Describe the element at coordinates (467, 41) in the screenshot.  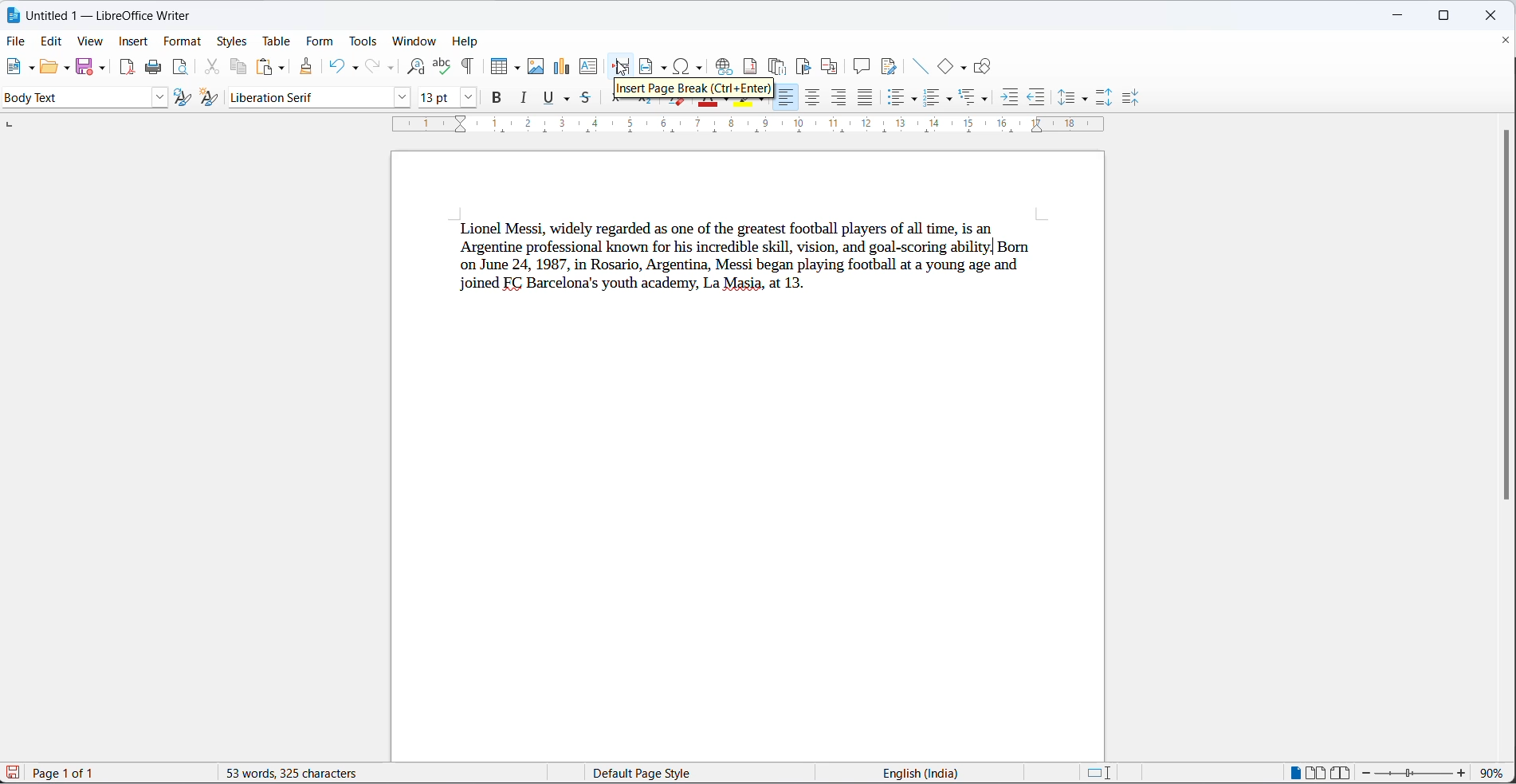
I see `help` at that location.